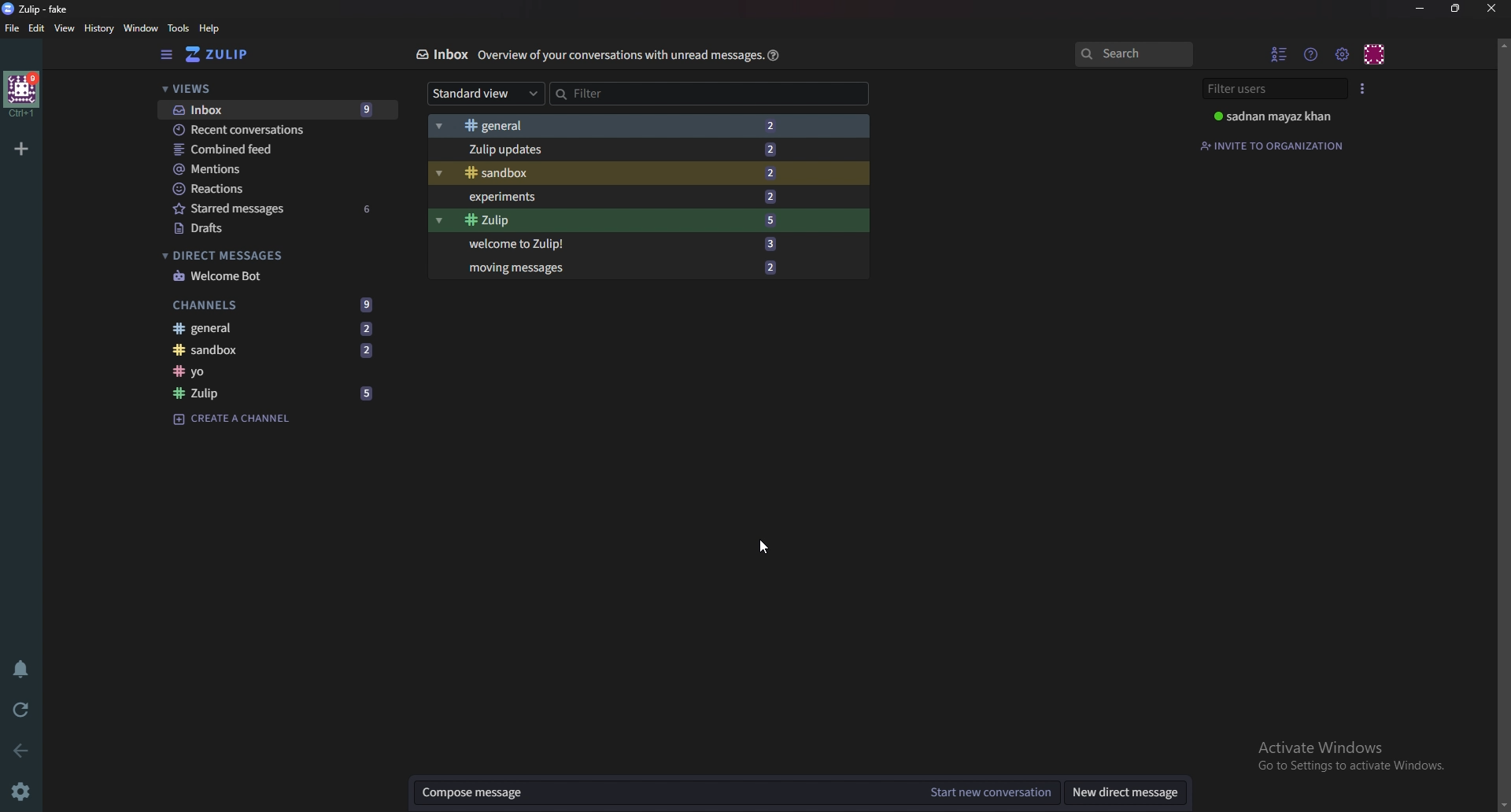 The image size is (1511, 812). Describe the element at coordinates (288, 350) in the screenshot. I see `sandbox` at that location.